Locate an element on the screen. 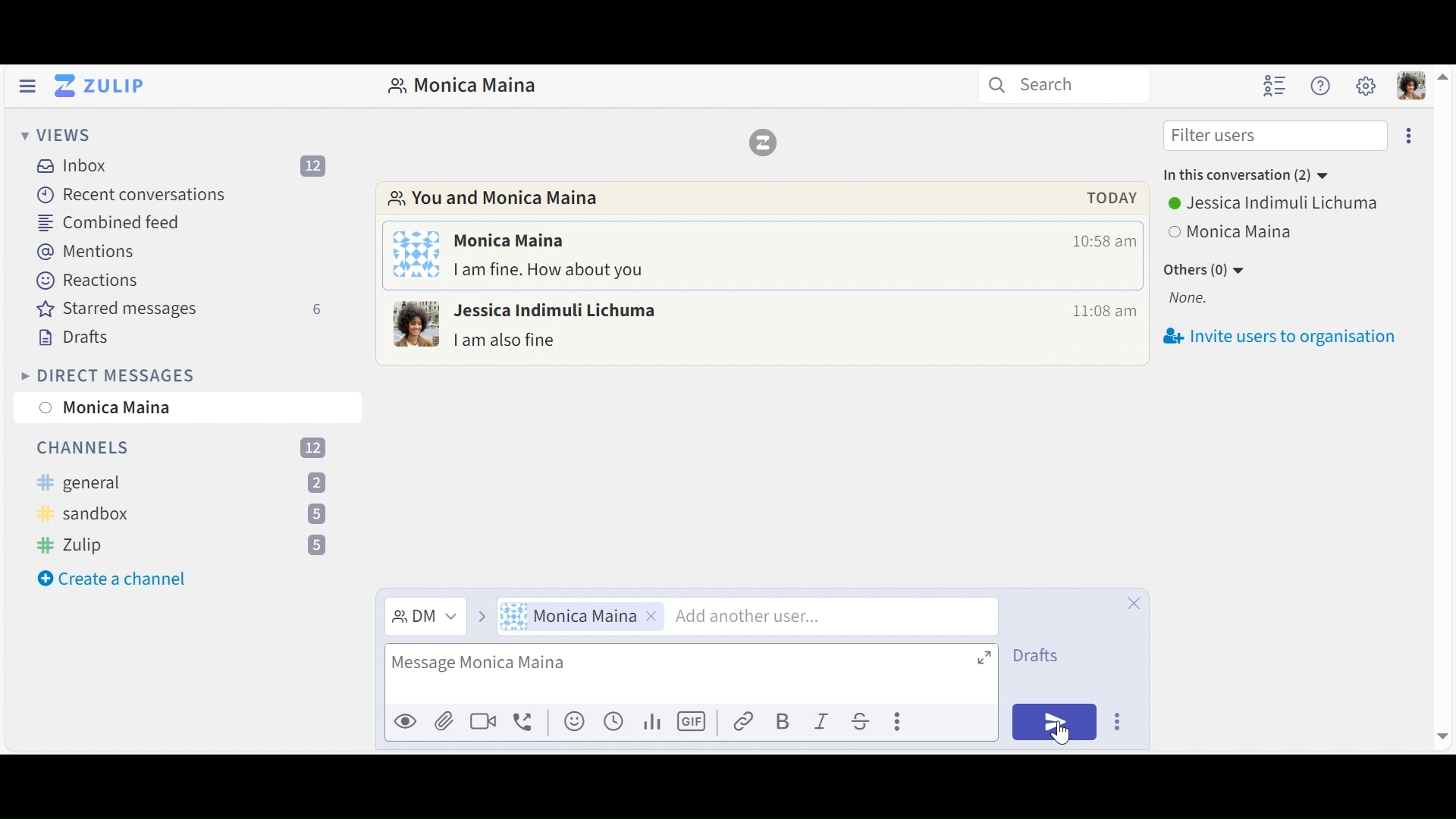 The height and width of the screenshot is (819, 1456). Send options is located at coordinates (1121, 723).